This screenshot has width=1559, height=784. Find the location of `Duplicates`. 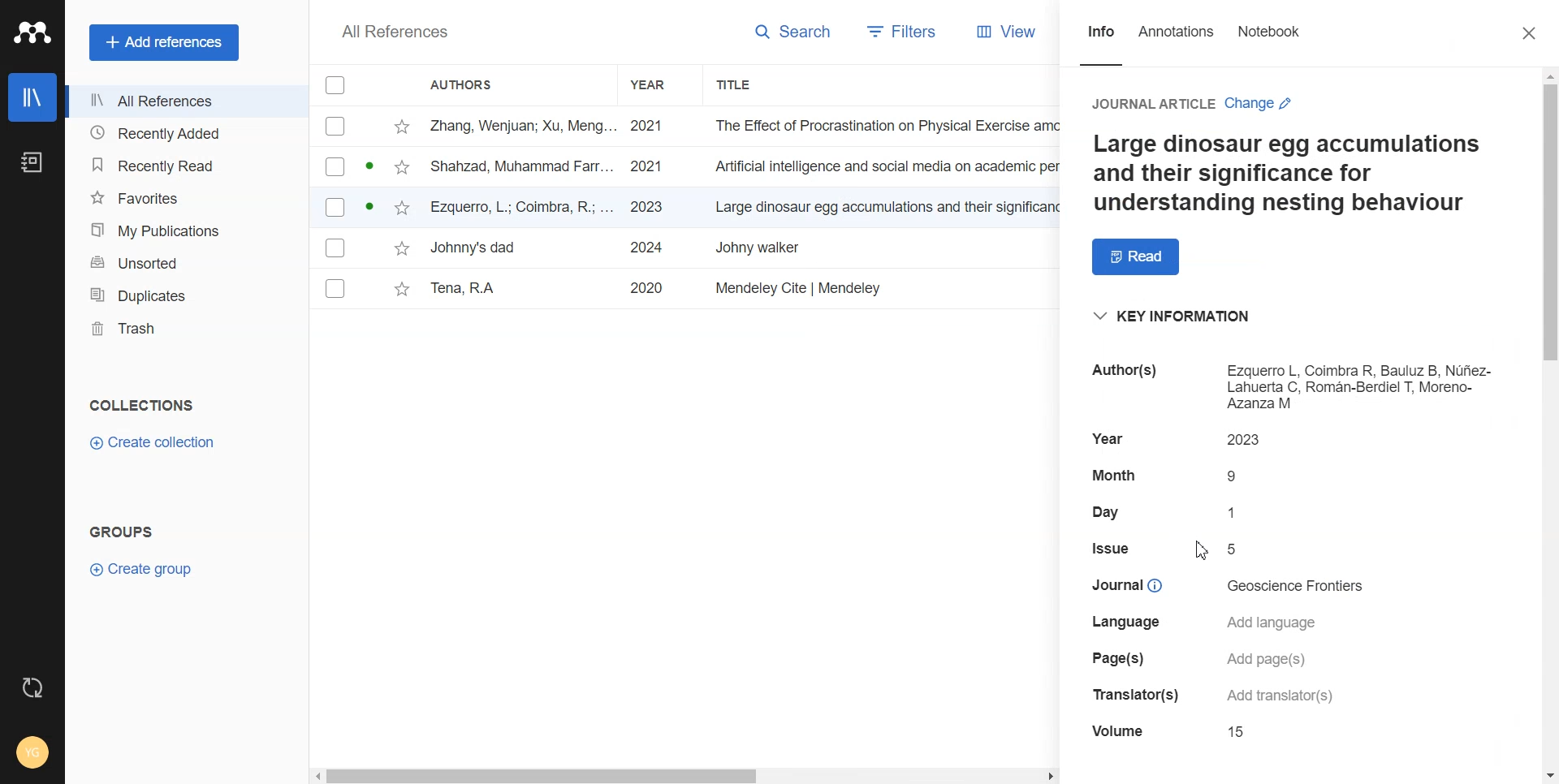

Duplicates is located at coordinates (185, 295).